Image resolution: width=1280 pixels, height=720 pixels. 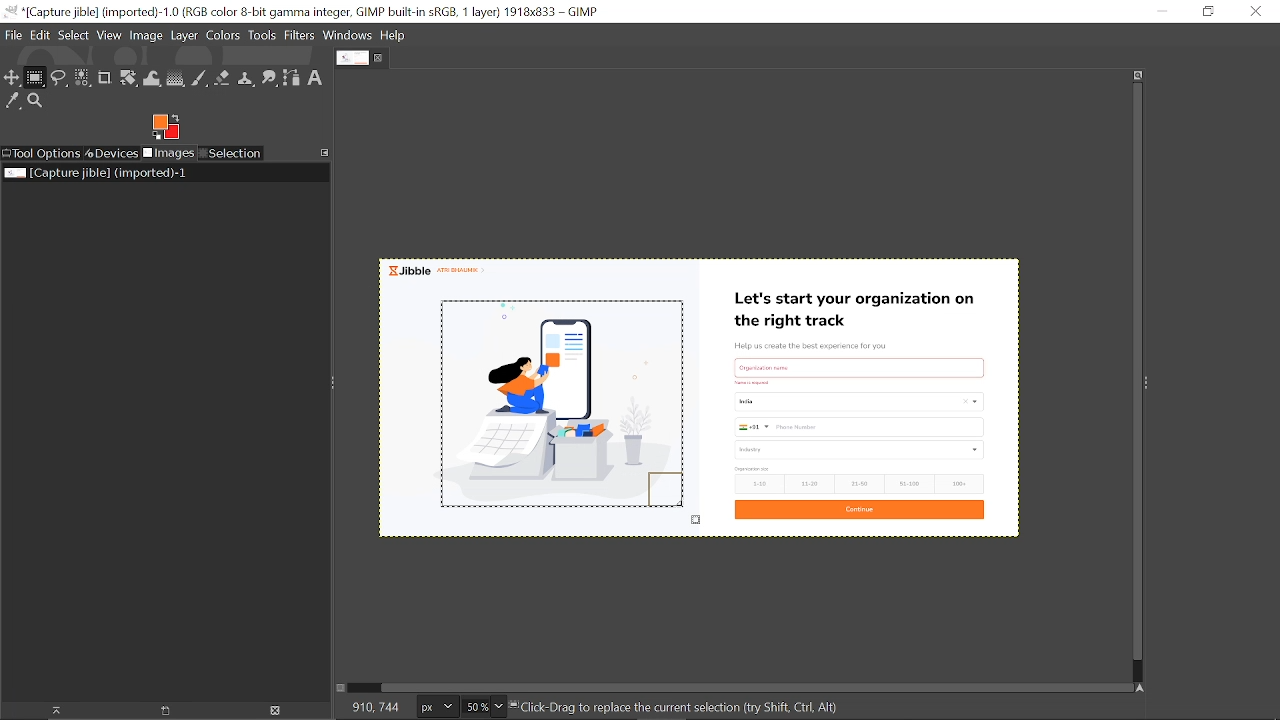 I want to click on size, so click(x=752, y=469).